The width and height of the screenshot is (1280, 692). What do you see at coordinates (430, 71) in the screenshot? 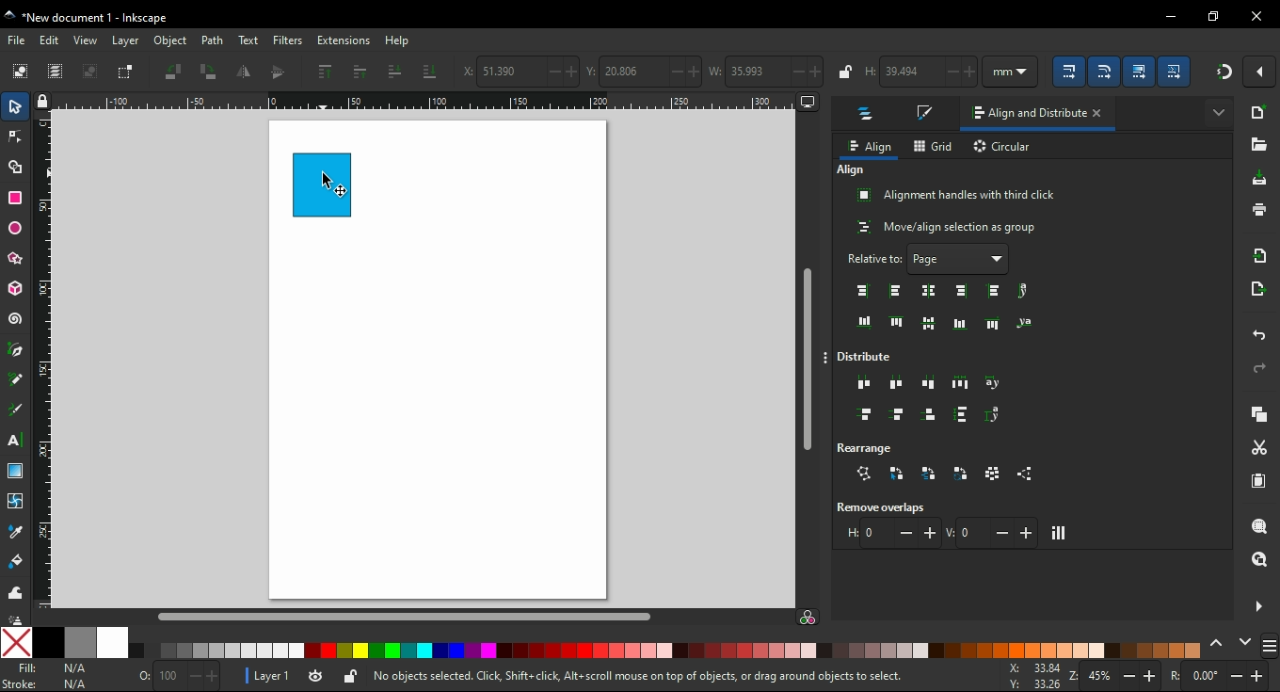
I see `lower to bottom` at bounding box center [430, 71].